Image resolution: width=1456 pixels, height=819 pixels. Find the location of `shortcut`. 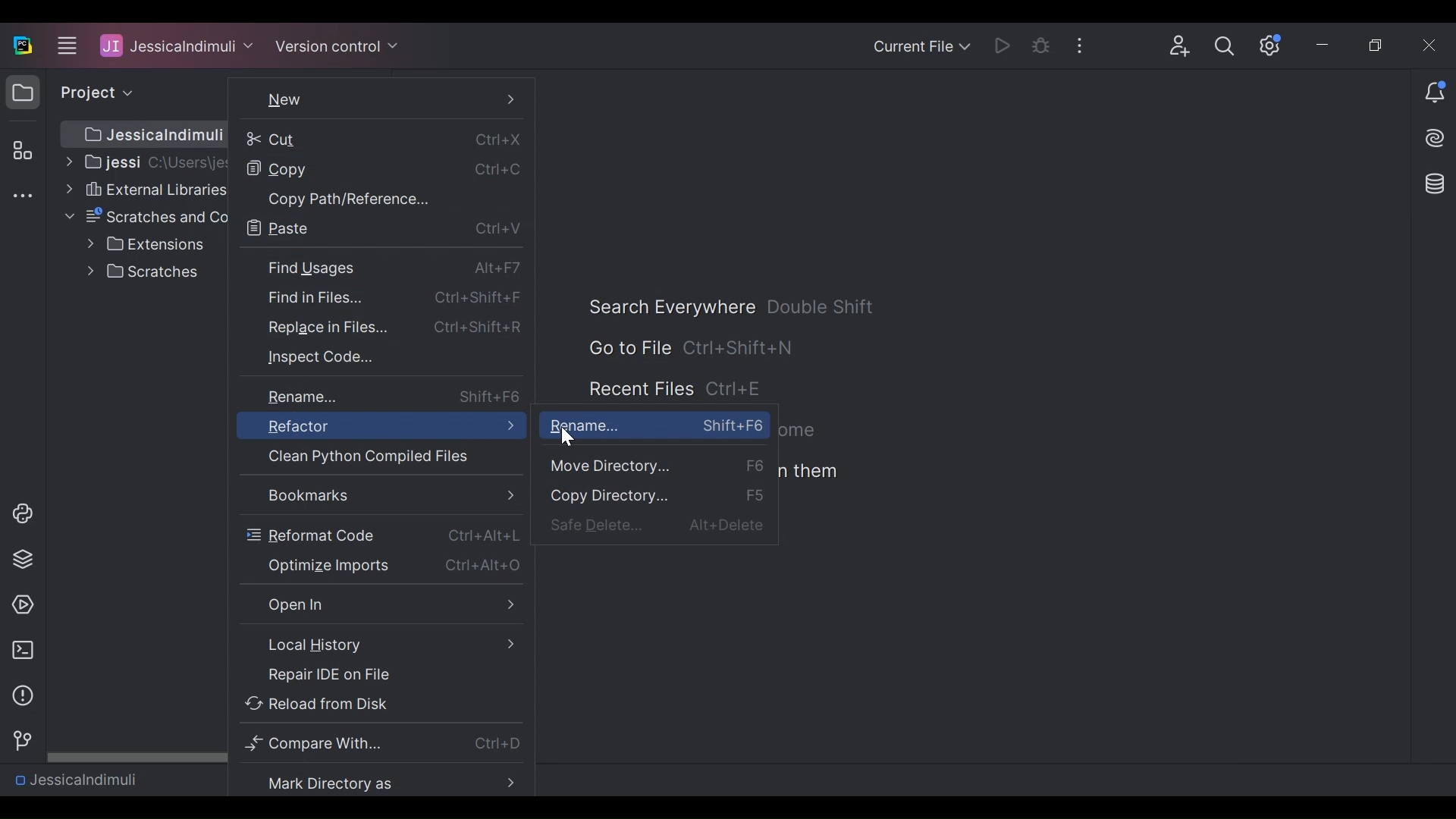

shortcut is located at coordinates (739, 347).